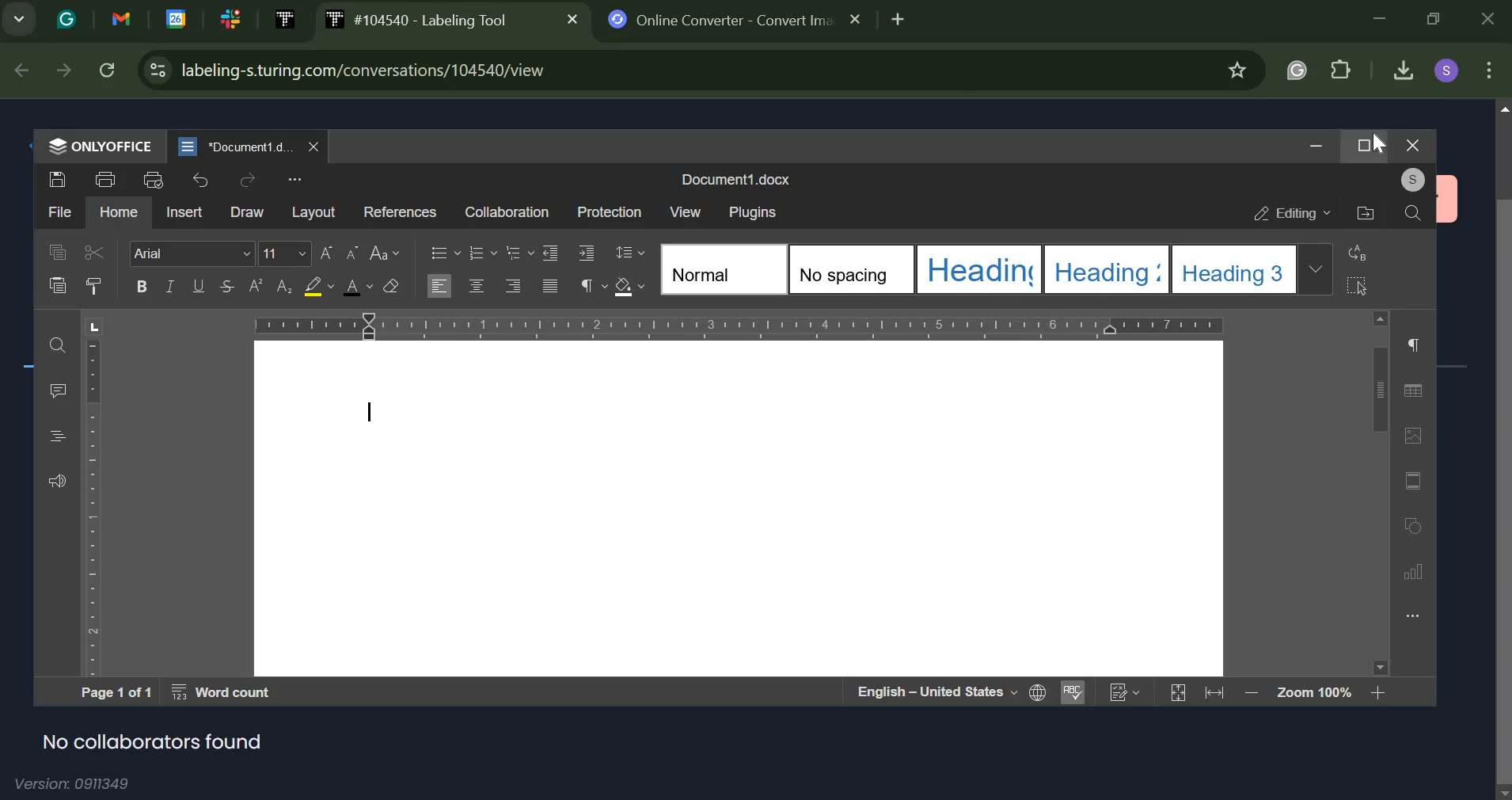  What do you see at coordinates (1502, 451) in the screenshot?
I see `scroll bar` at bounding box center [1502, 451].